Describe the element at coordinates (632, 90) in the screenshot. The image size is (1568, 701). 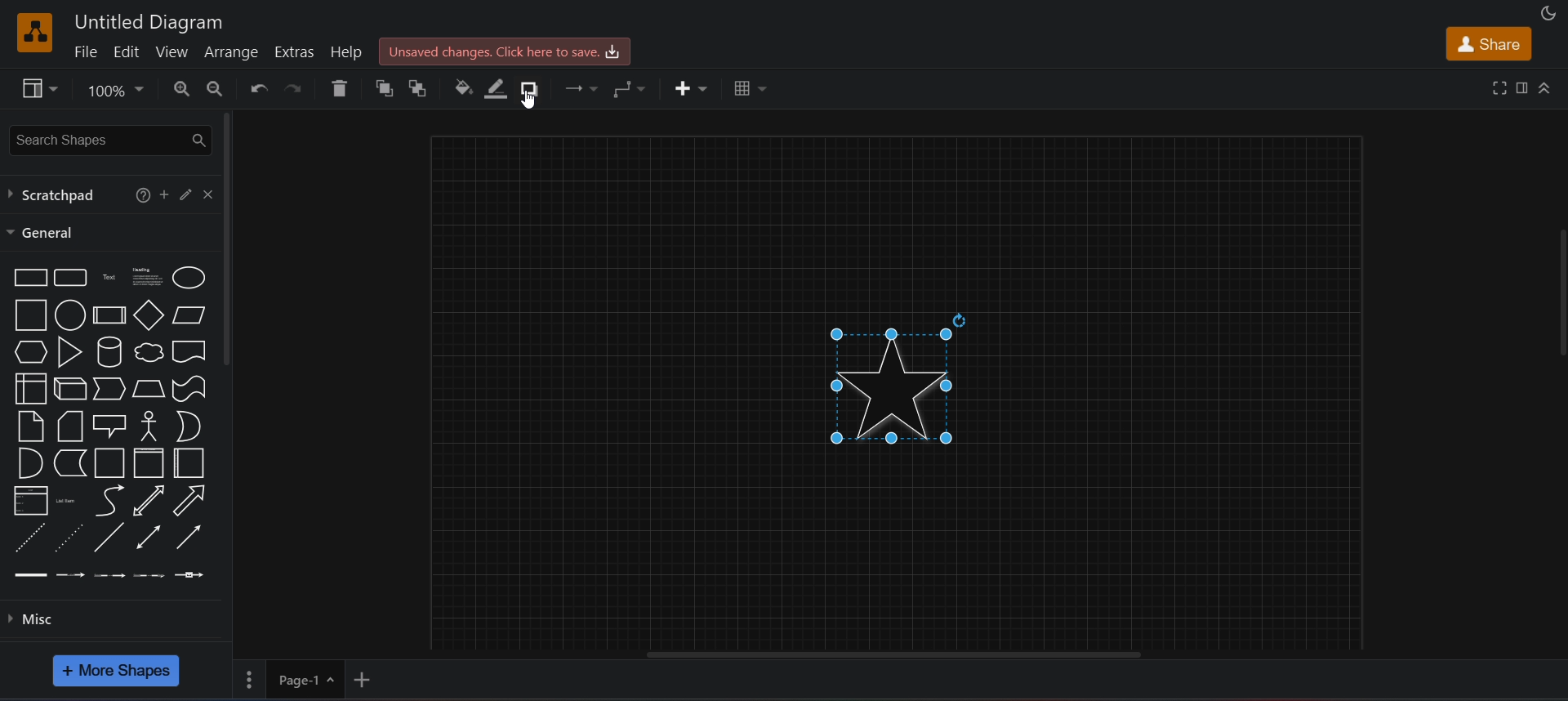
I see `waypoints` at that location.